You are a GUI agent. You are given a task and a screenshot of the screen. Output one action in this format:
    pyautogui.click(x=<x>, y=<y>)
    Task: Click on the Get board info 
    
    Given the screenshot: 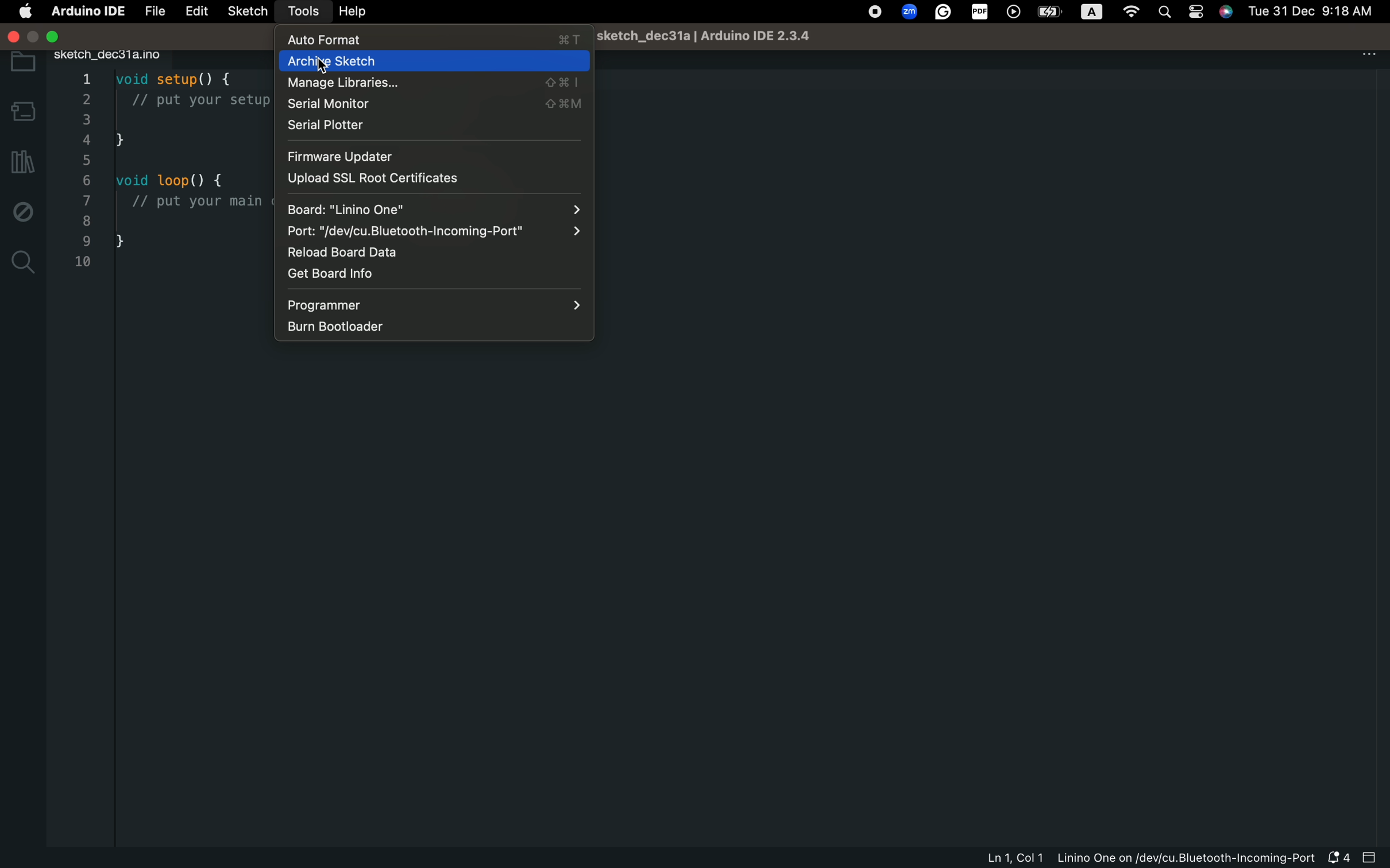 What is the action you would take?
    pyautogui.click(x=354, y=274)
    